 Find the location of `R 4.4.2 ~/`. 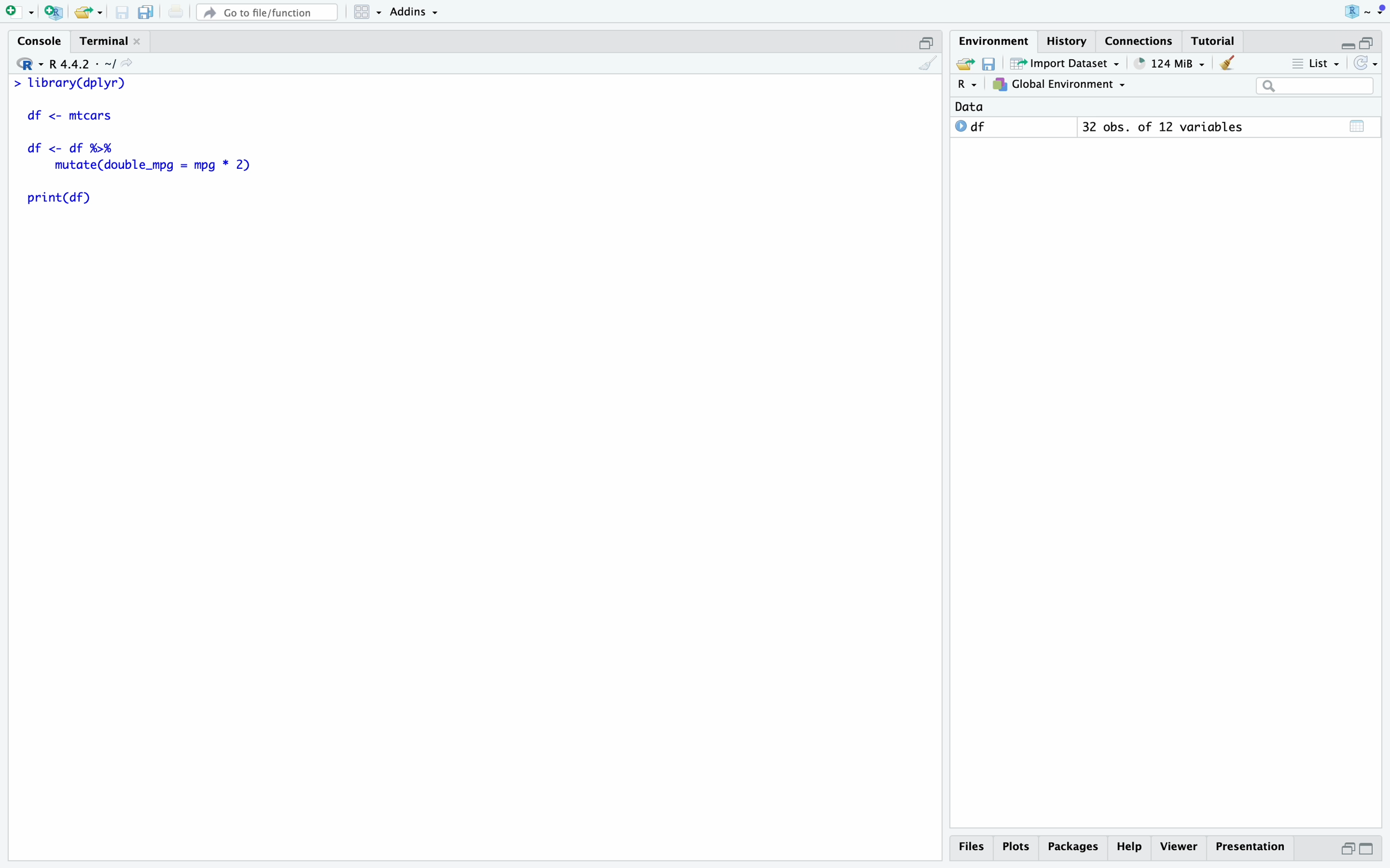

R 4.4.2 ~/ is located at coordinates (82, 65).